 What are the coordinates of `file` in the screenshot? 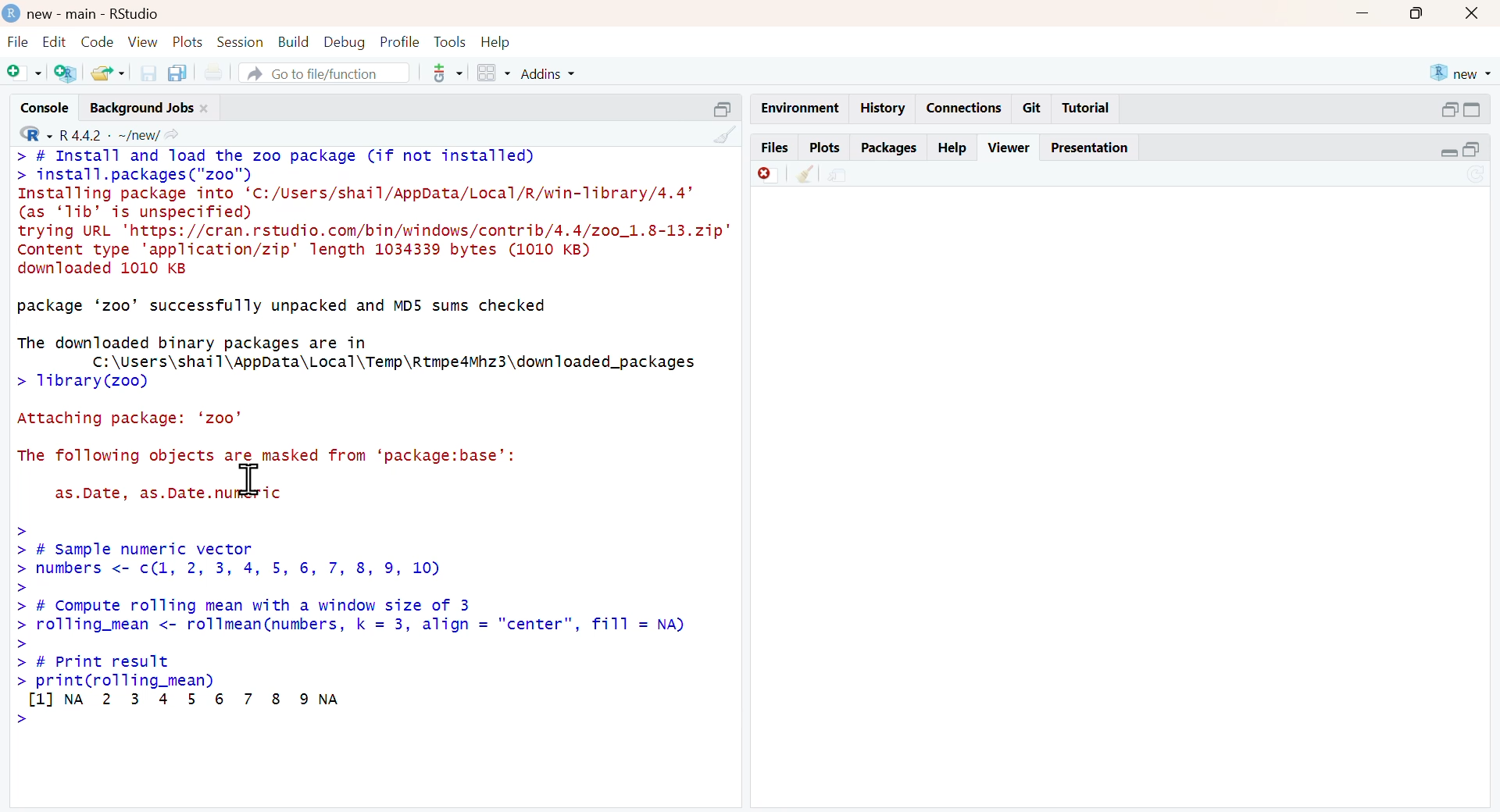 It's located at (18, 41).